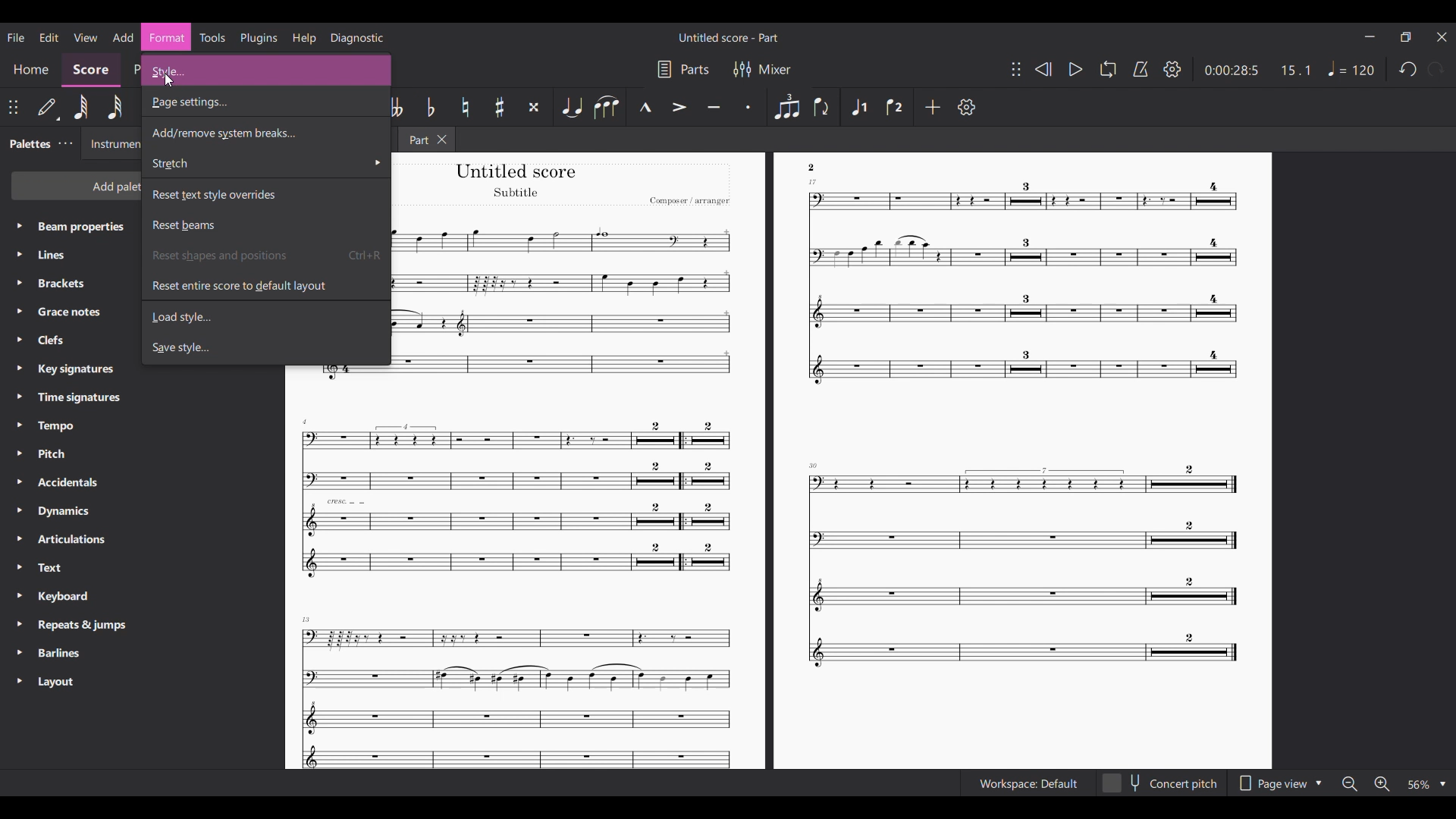  I want to click on Instruments tab, so click(109, 144).